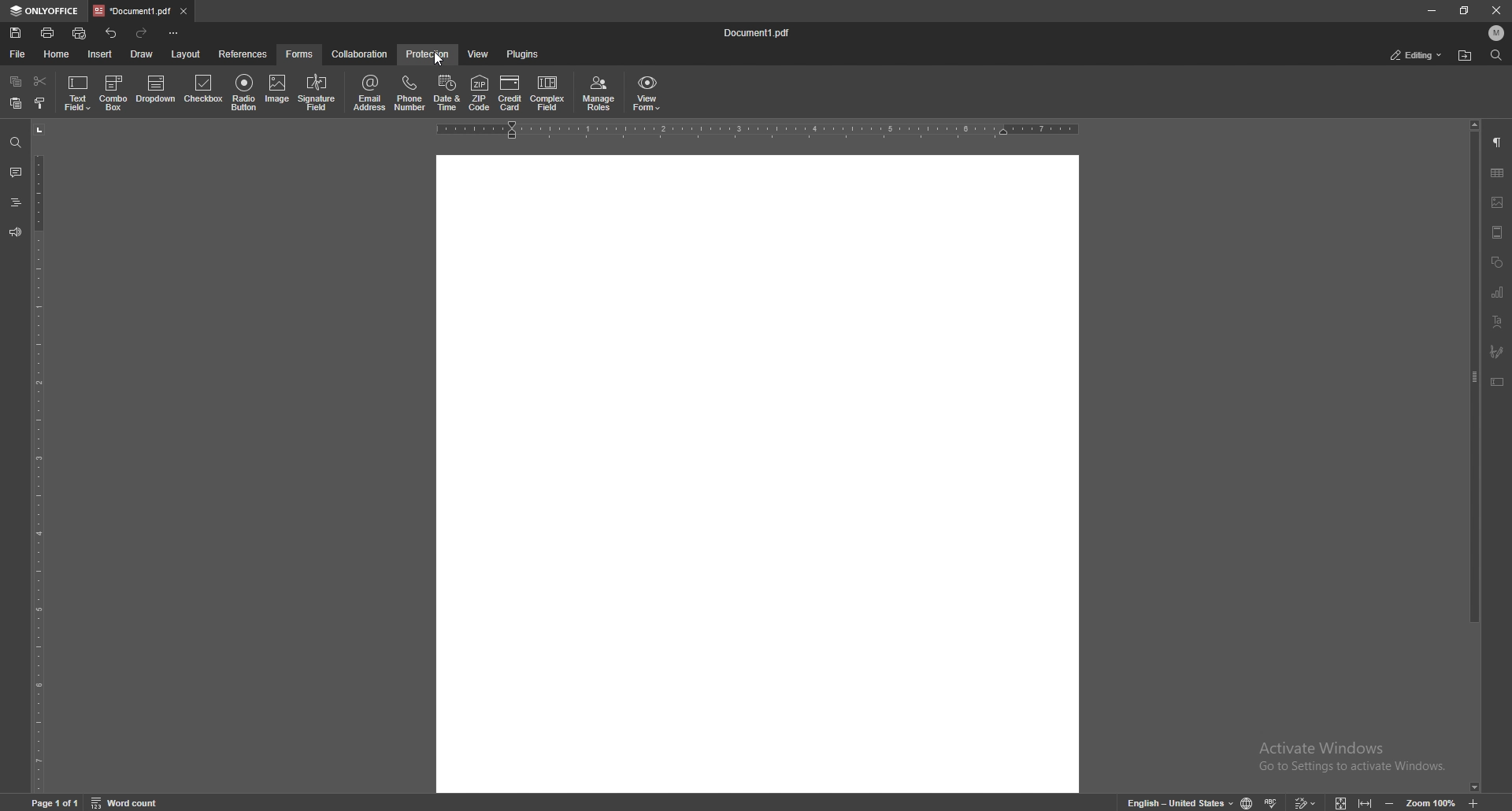 This screenshot has width=1512, height=811. What do you see at coordinates (46, 11) in the screenshot?
I see `onlyoffice` at bounding box center [46, 11].